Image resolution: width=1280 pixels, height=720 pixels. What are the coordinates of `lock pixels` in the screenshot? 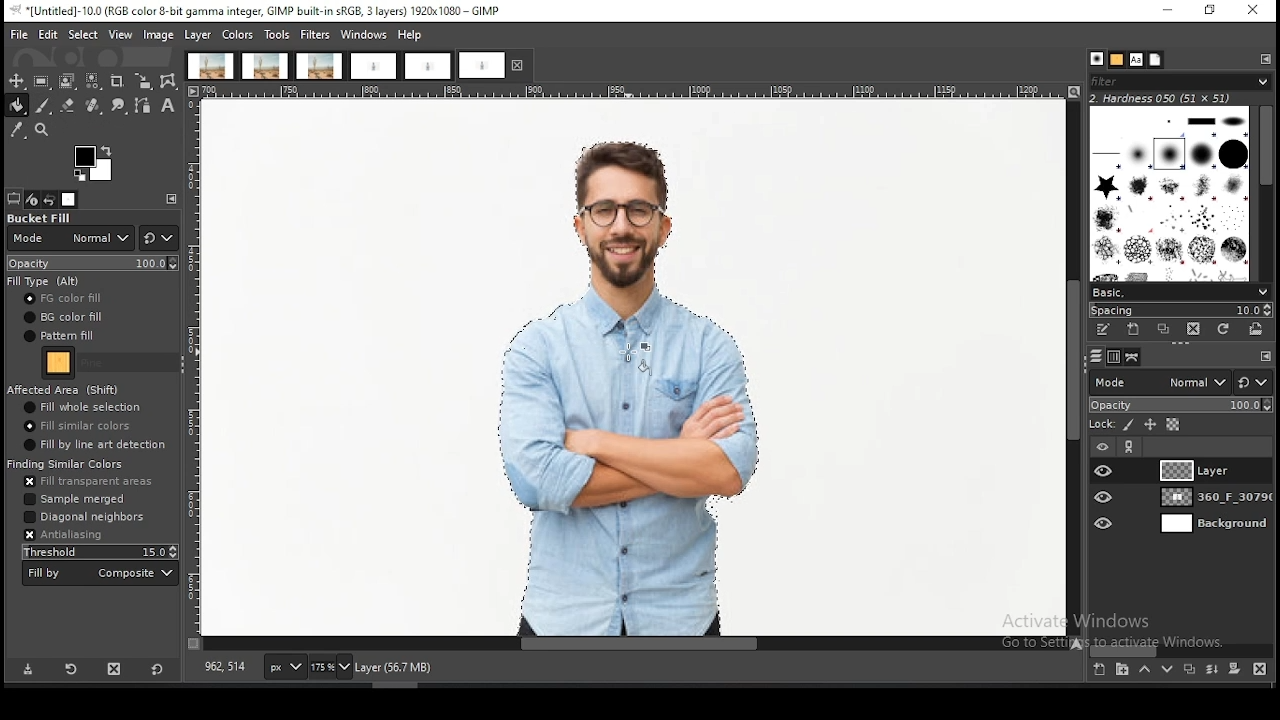 It's located at (1129, 426).